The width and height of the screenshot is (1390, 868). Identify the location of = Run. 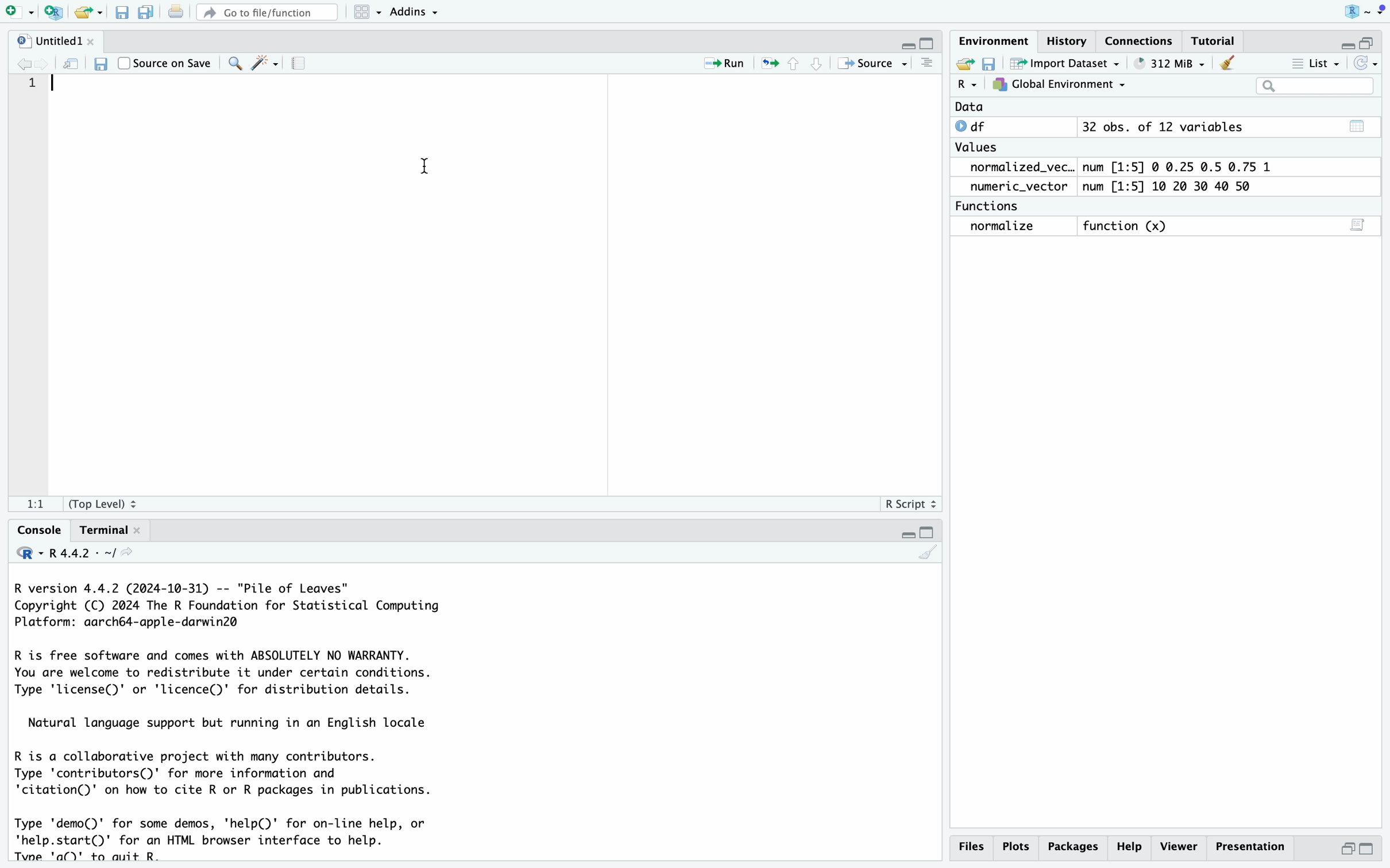
(727, 63).